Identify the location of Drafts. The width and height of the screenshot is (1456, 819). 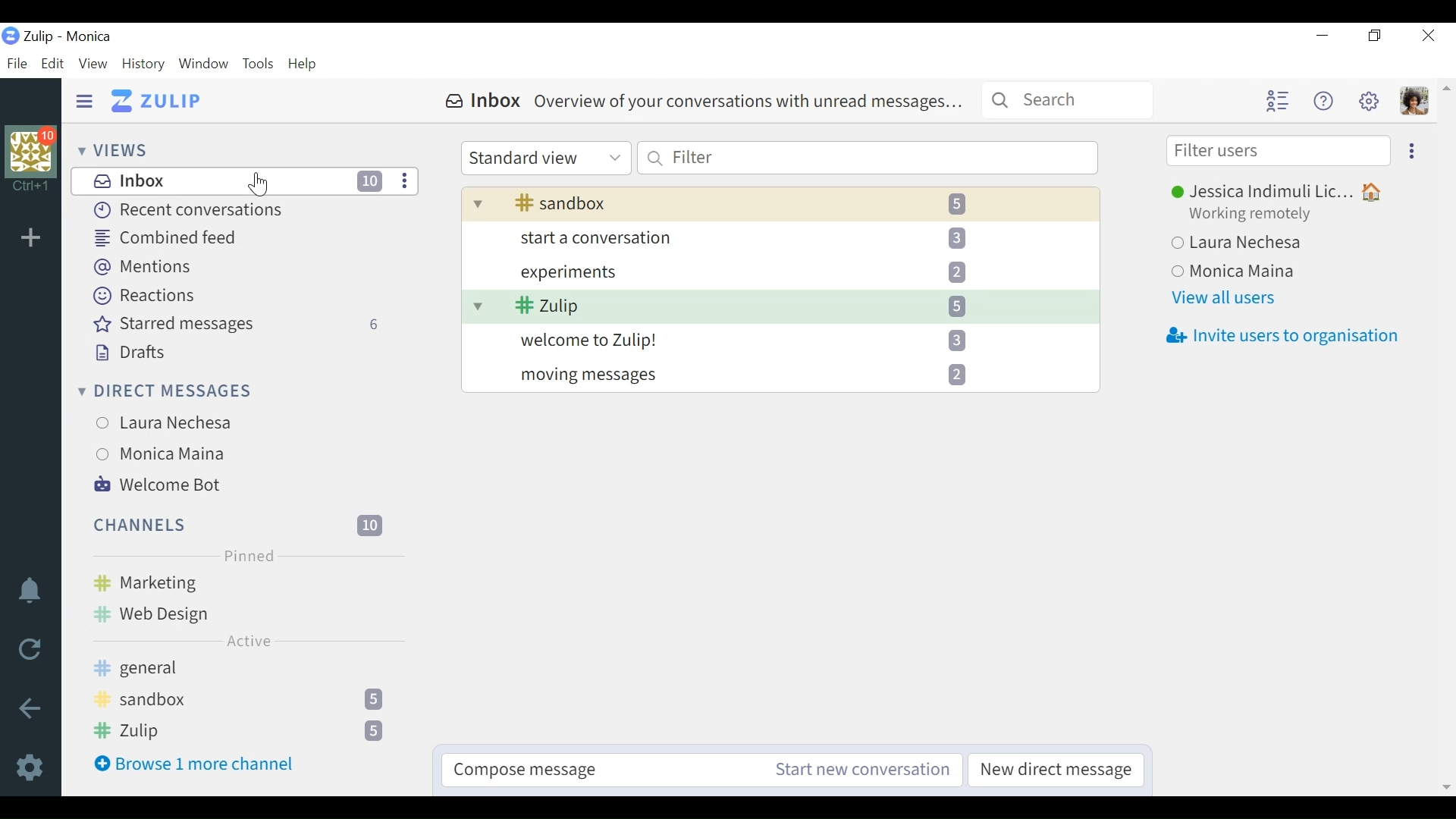
(127, 353).